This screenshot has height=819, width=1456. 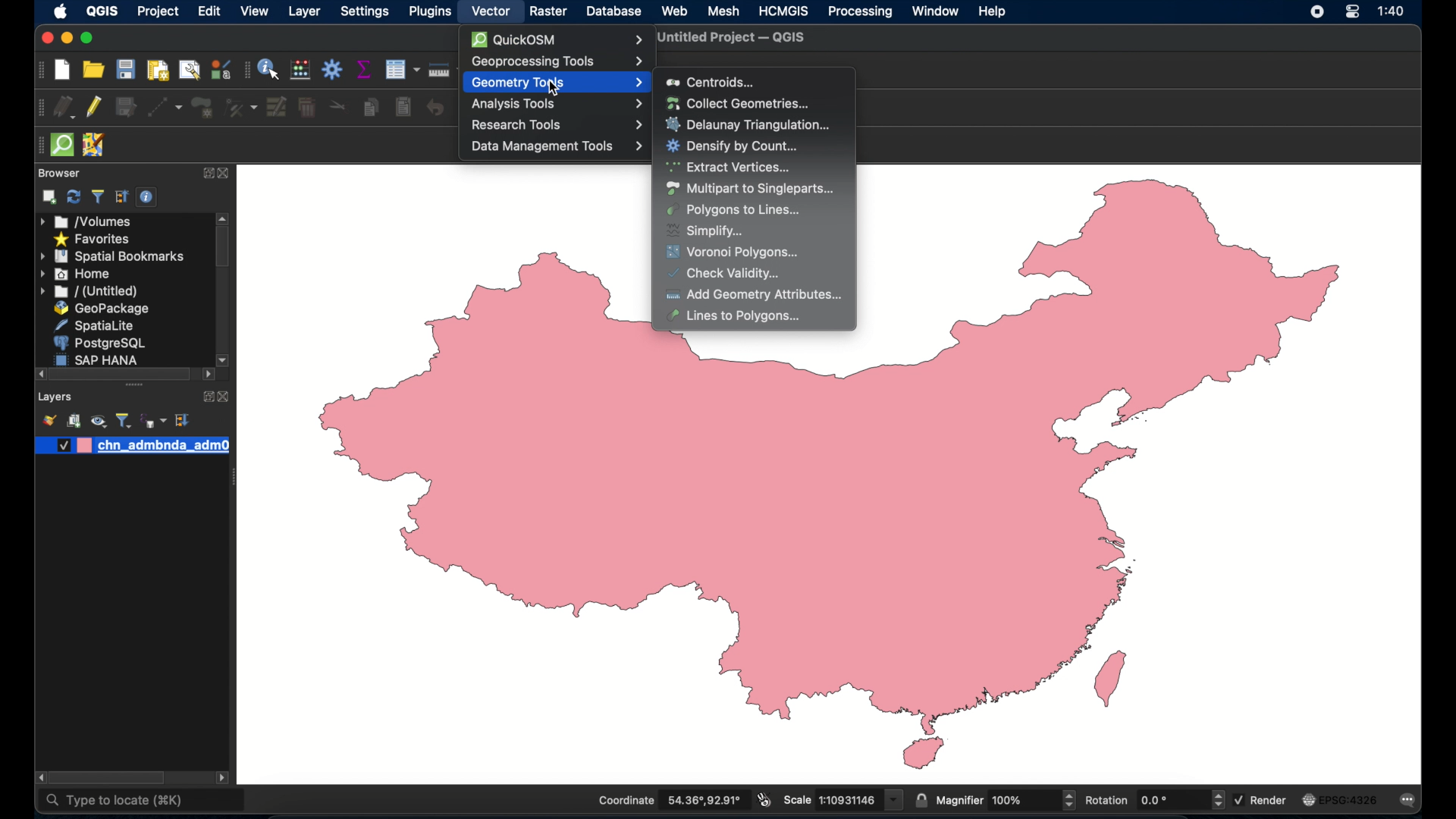 I want to click on scroll down arrow, so click(x=224, y=359).